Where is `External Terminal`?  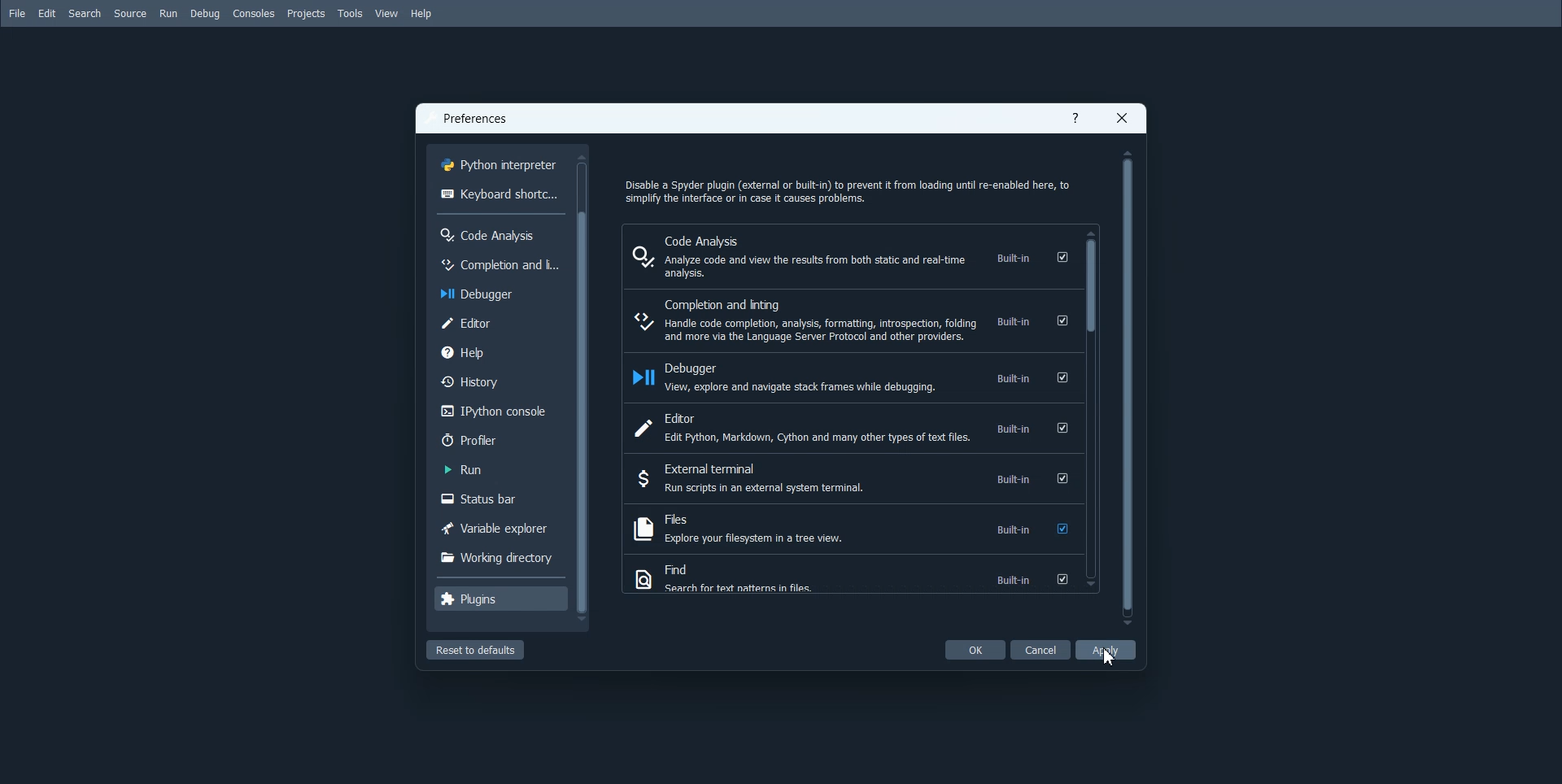 External Terminal is located at coordinates (850, 478).